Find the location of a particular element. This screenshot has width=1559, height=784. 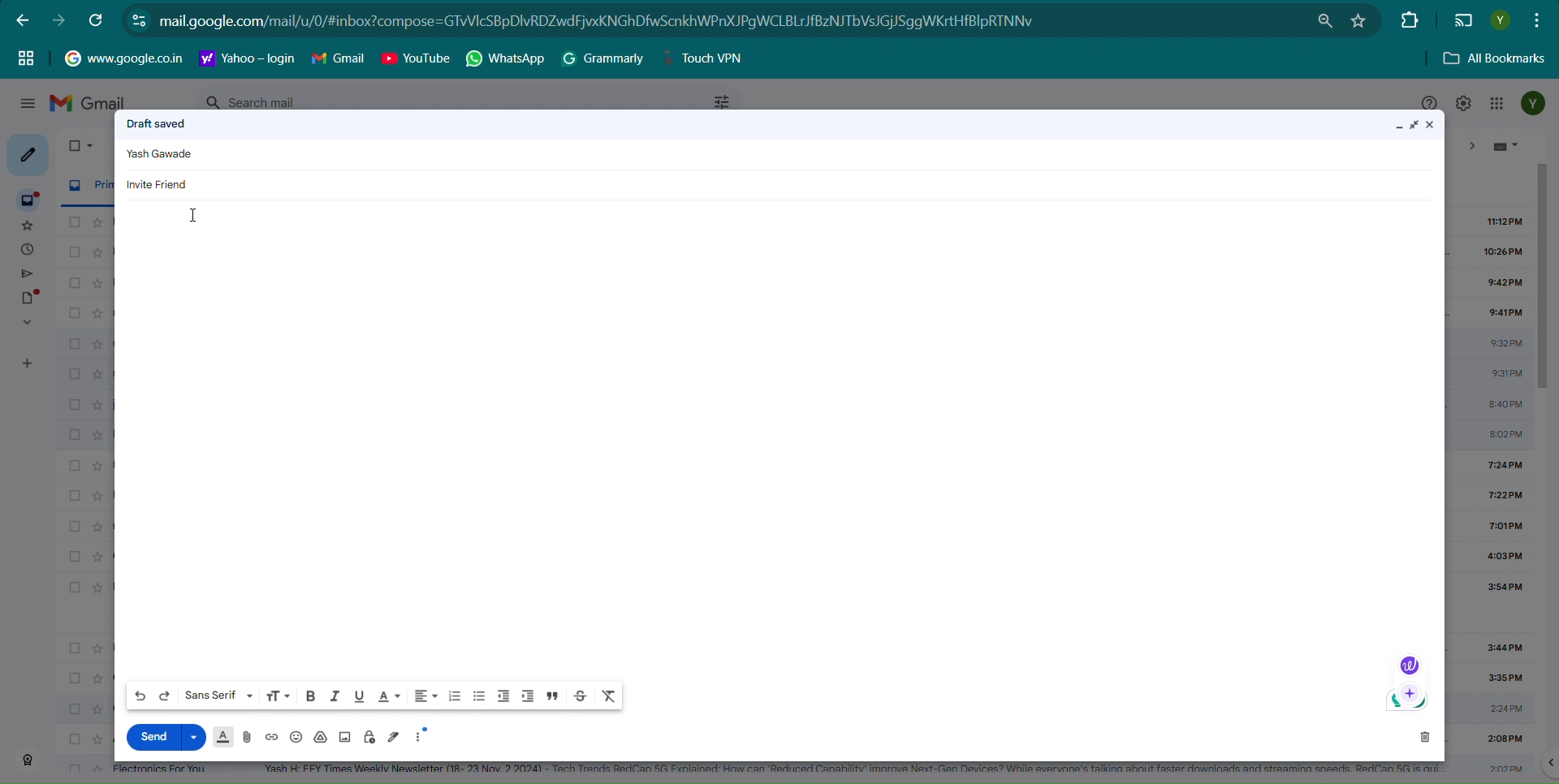

Toggle confidential mode is located at coordinates (370, 737).